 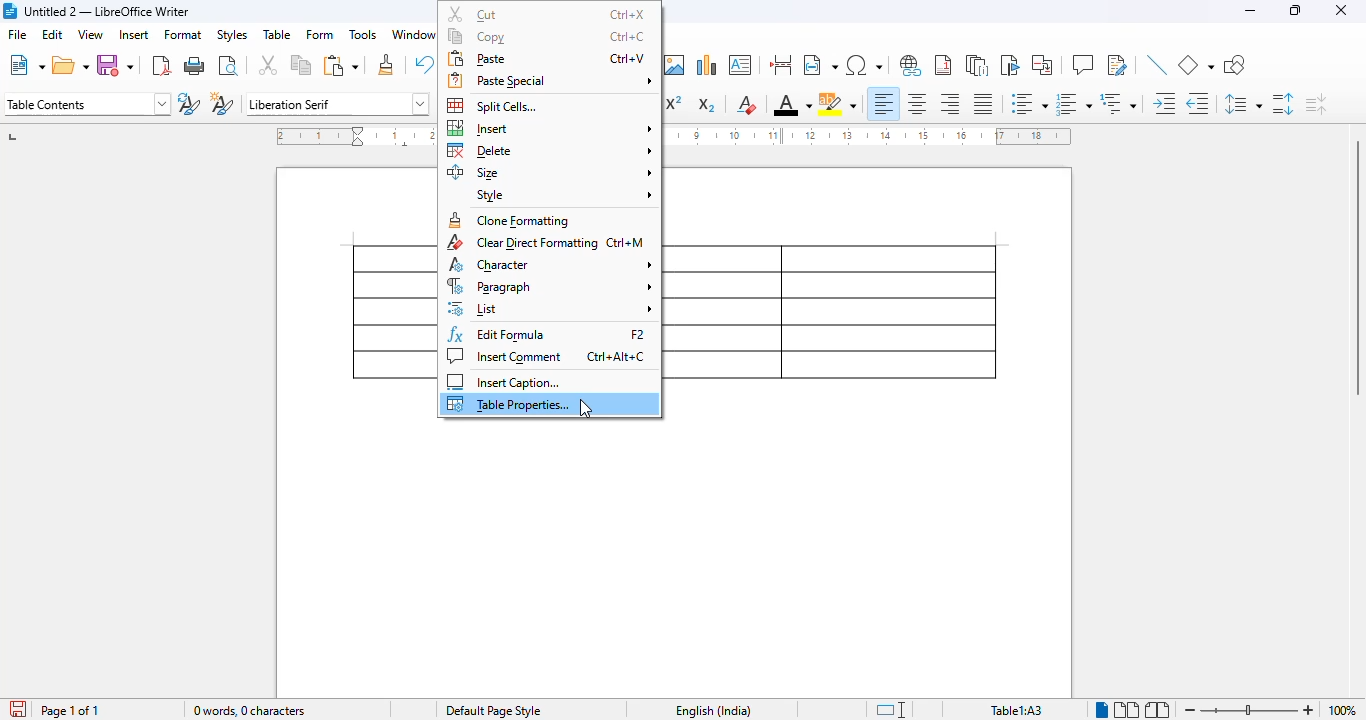 What do you see at coordinates (363, 35) in the screenshot?
I see `tools` at bounding box center [363, 35].